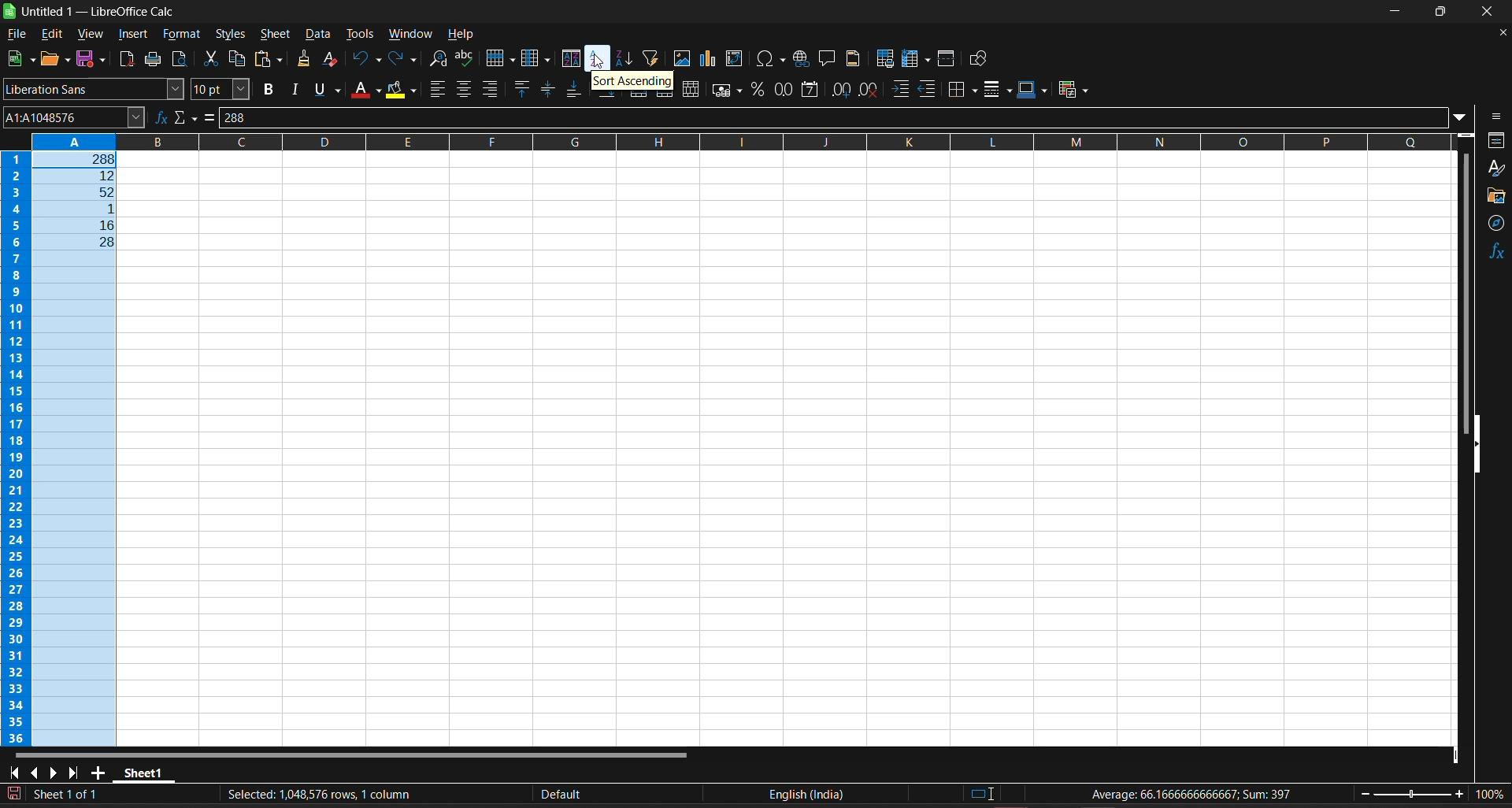  I want to click on selection mode, so click(982, 795).